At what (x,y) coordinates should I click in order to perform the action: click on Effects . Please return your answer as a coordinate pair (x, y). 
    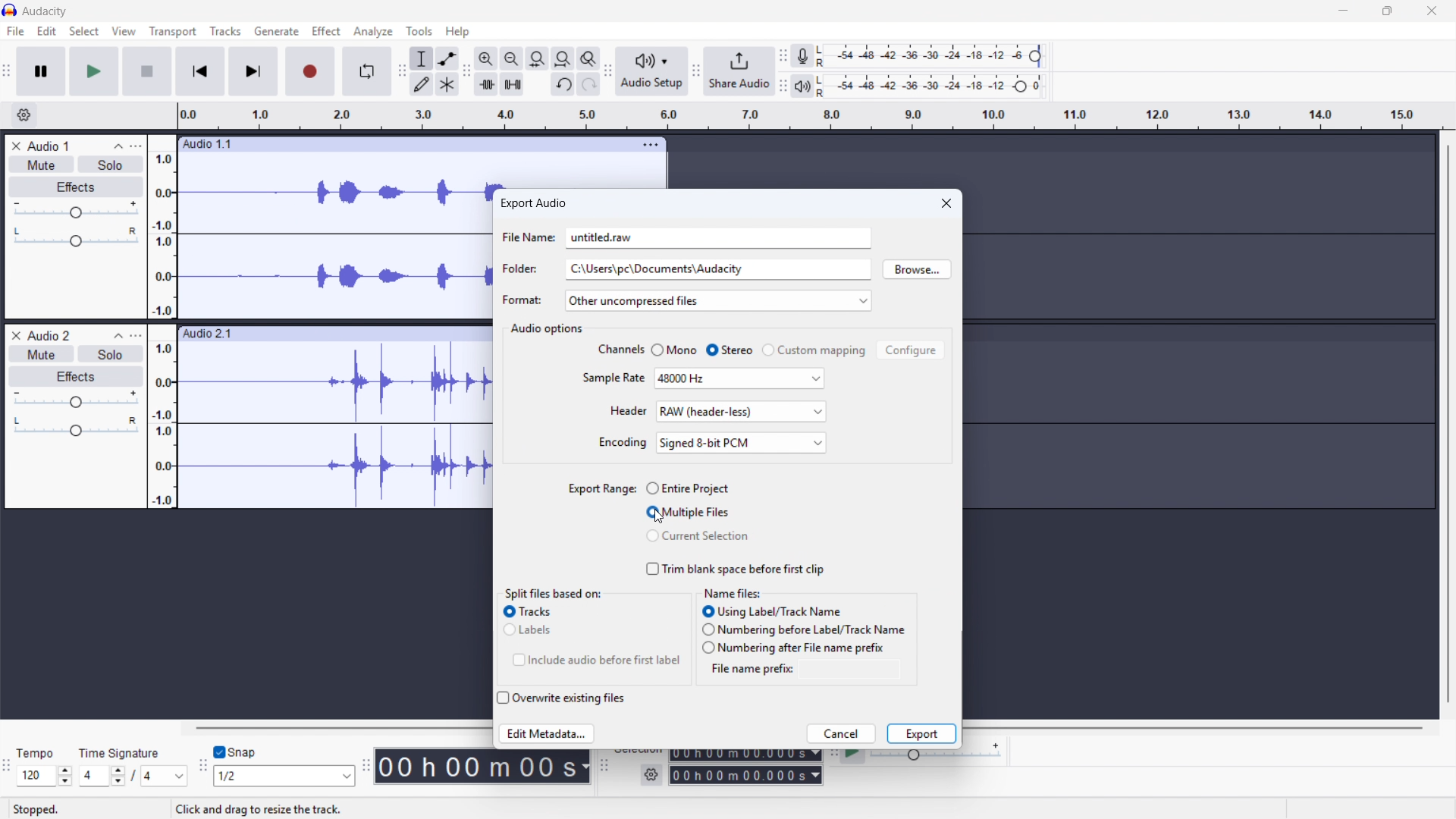
    Looking at the image, I should click on (76, 187).